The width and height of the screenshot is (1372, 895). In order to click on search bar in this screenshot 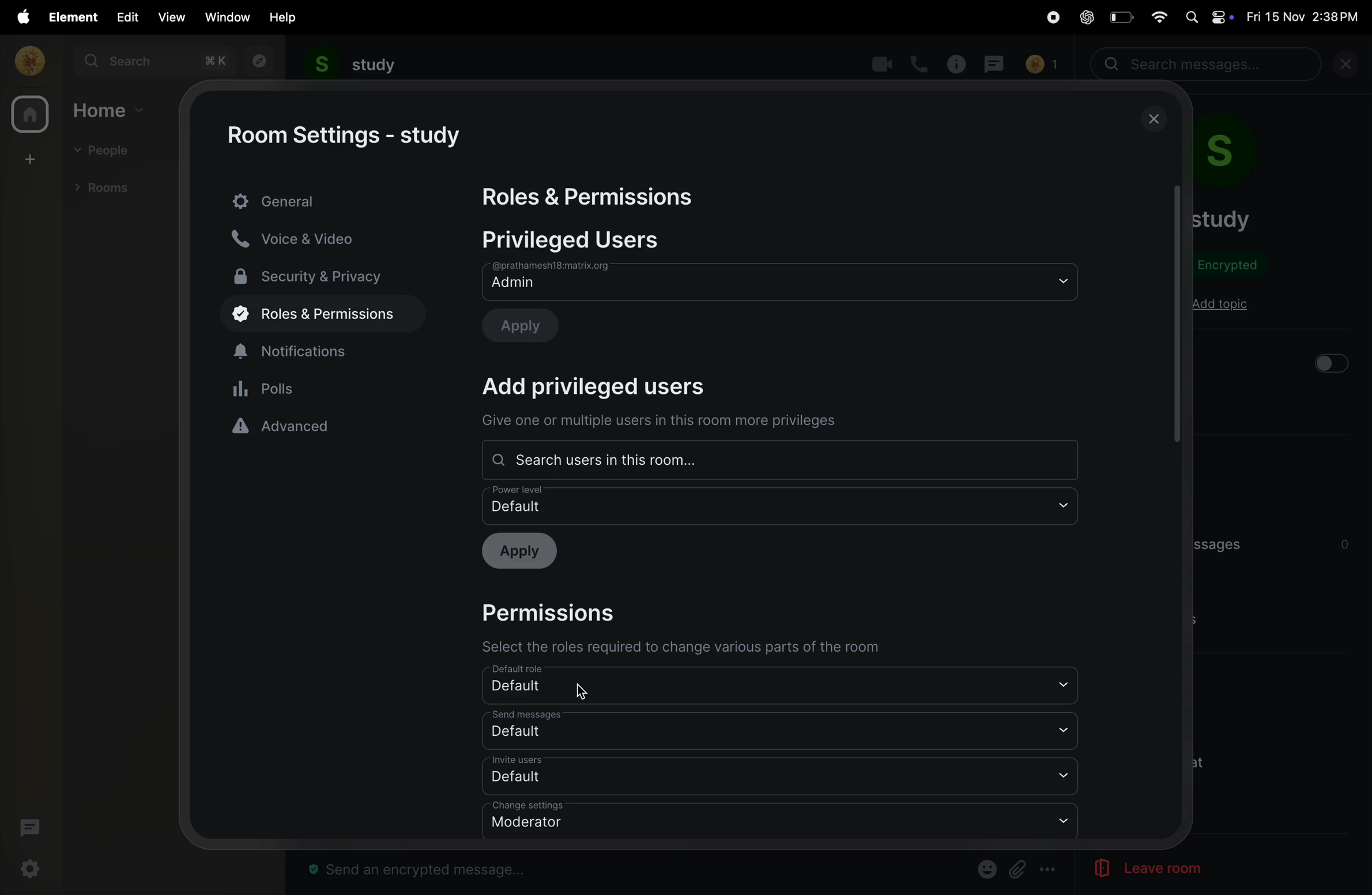, I will do `click(1208, 65)`.